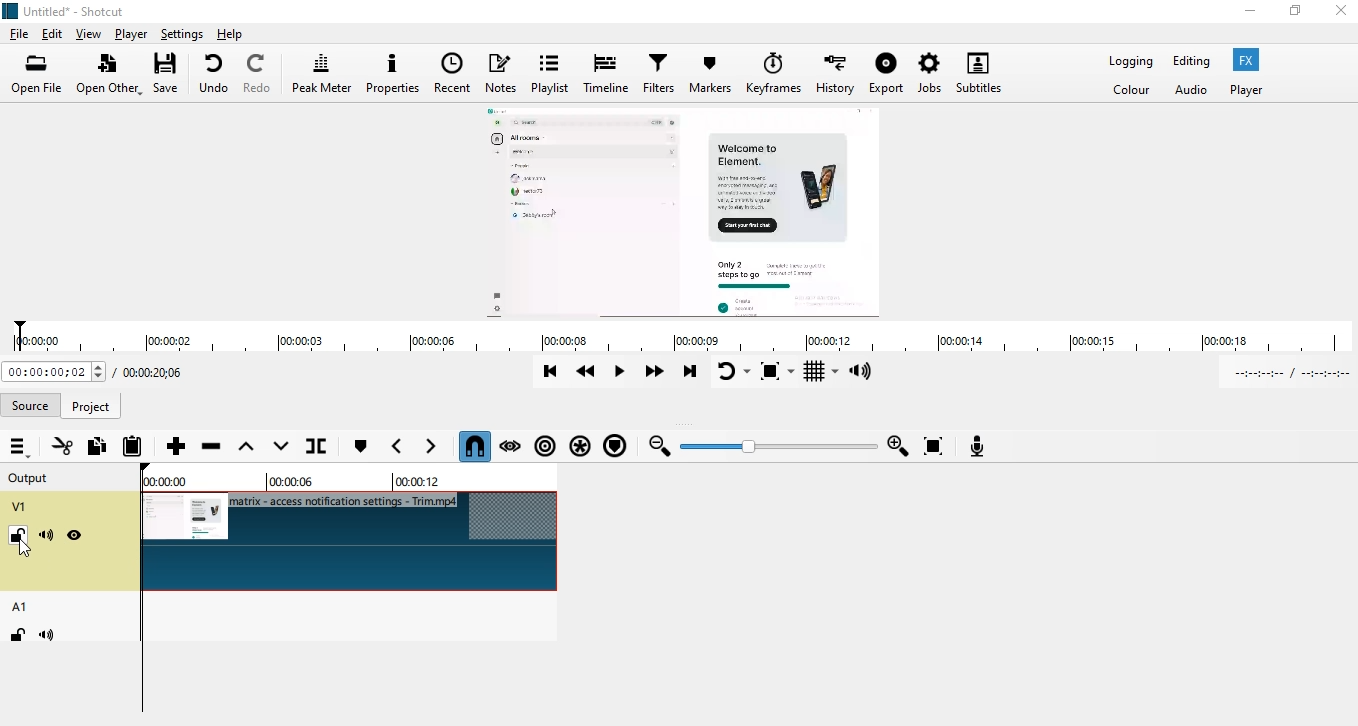 This screenshot has width=1358, height=726. Describe the element at coordinates (1295, 10) in the screenshot. I see `restore` at that location.